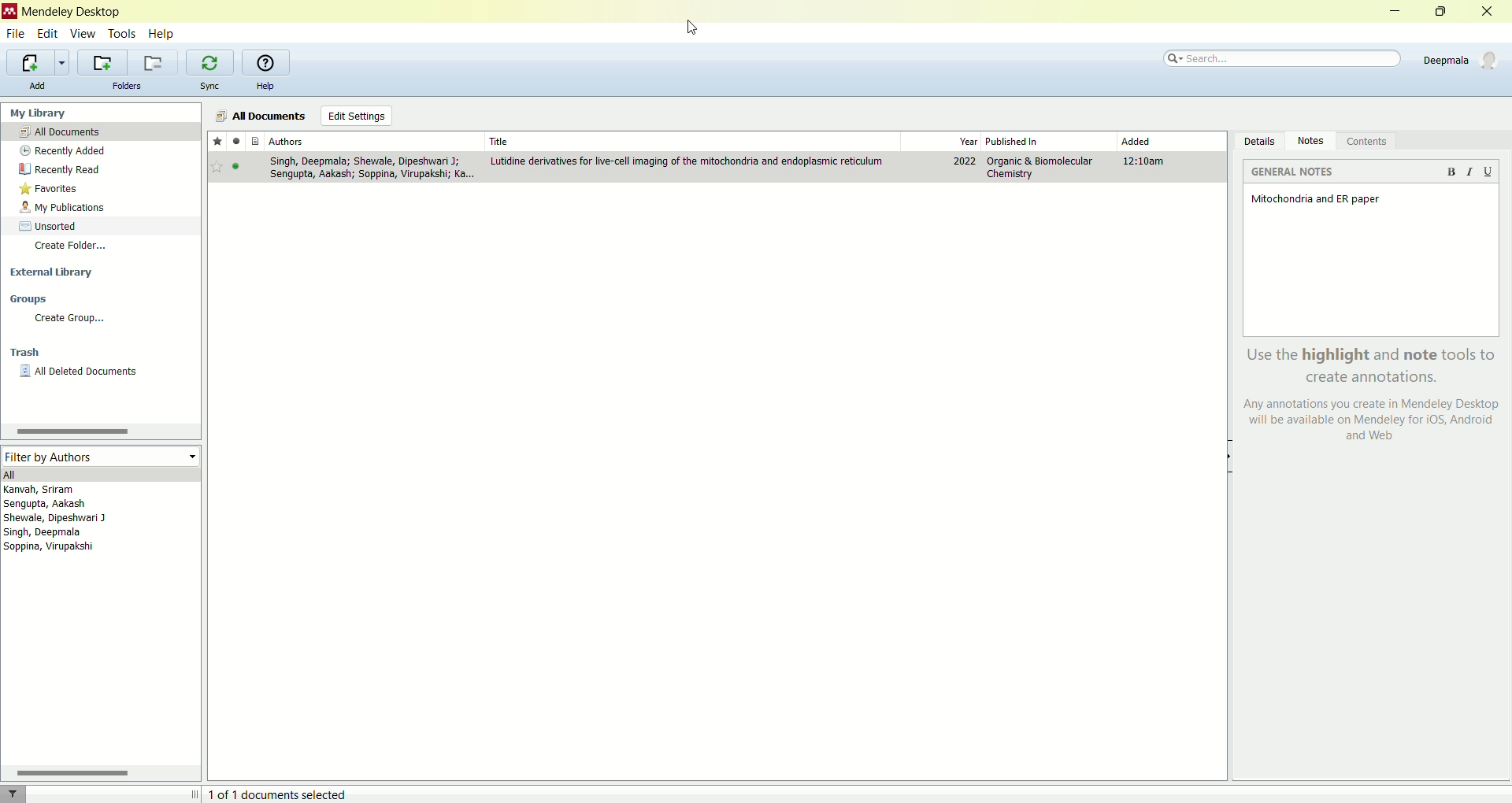 This screenshot has height=803, width=1512. What do you see at coordinates (1366, 398) in the screenshot?
I see `Use the highlight and note tools to create annotations. Any annotations you create in Mendeley Desktop will be available on Mendeley for iOS, Android| and Web` at bounding box center [1366, 398].